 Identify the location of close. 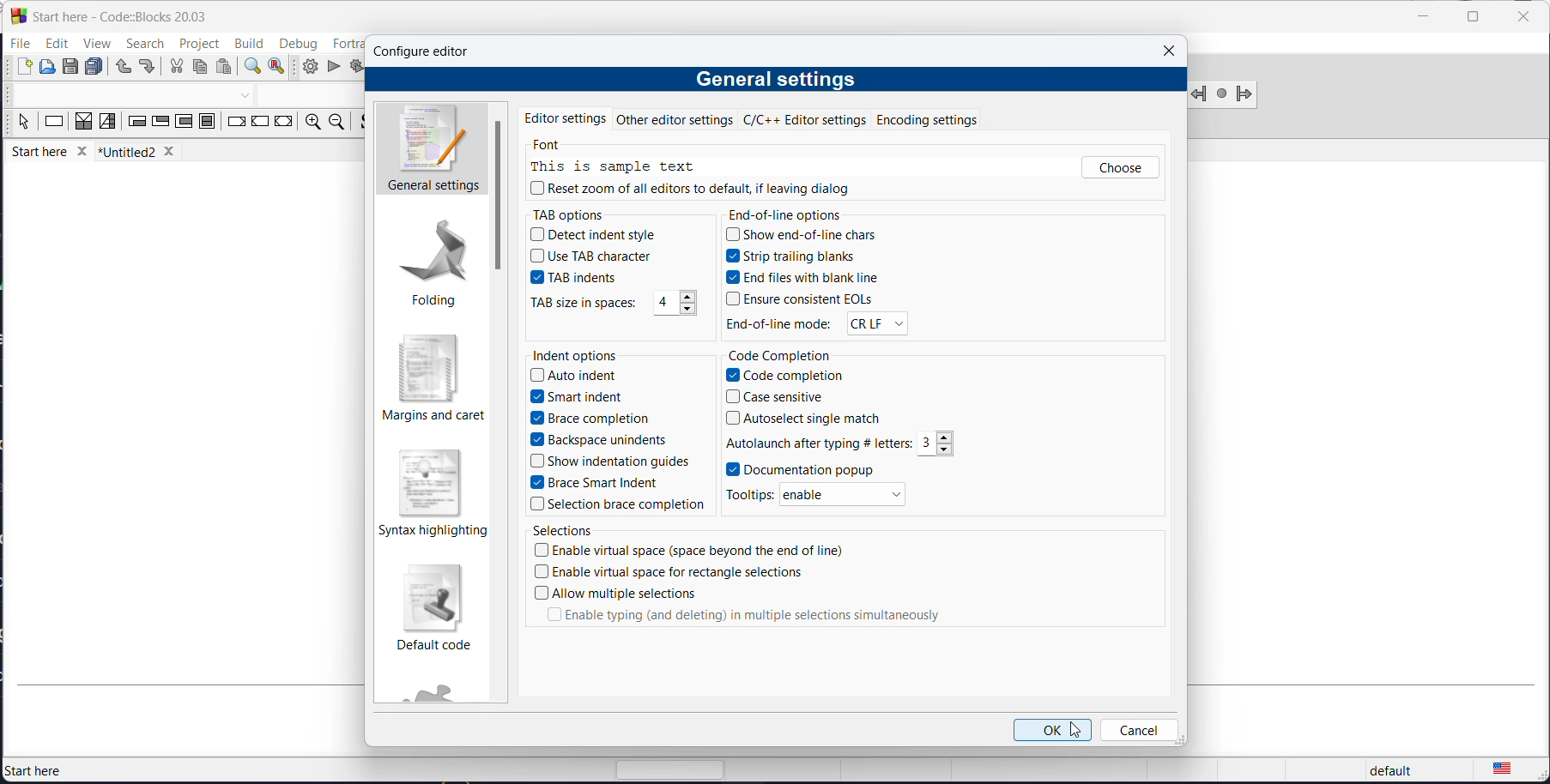
(1172, 50).